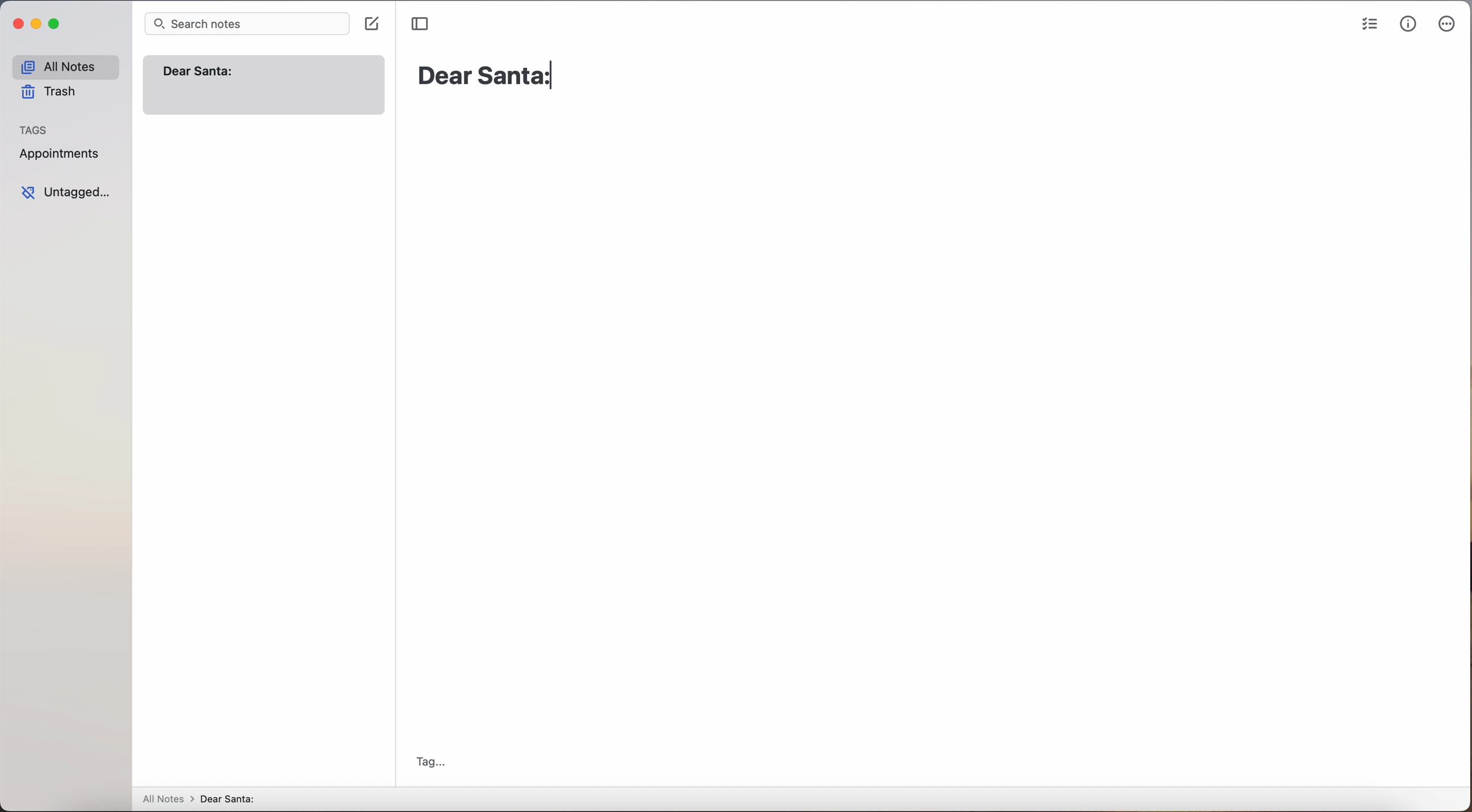 Image resolution: width=1472 pixels, height=812 pixels. Describe the element at coordinates (264, 86) in the screenshot. I see `note` at that location.